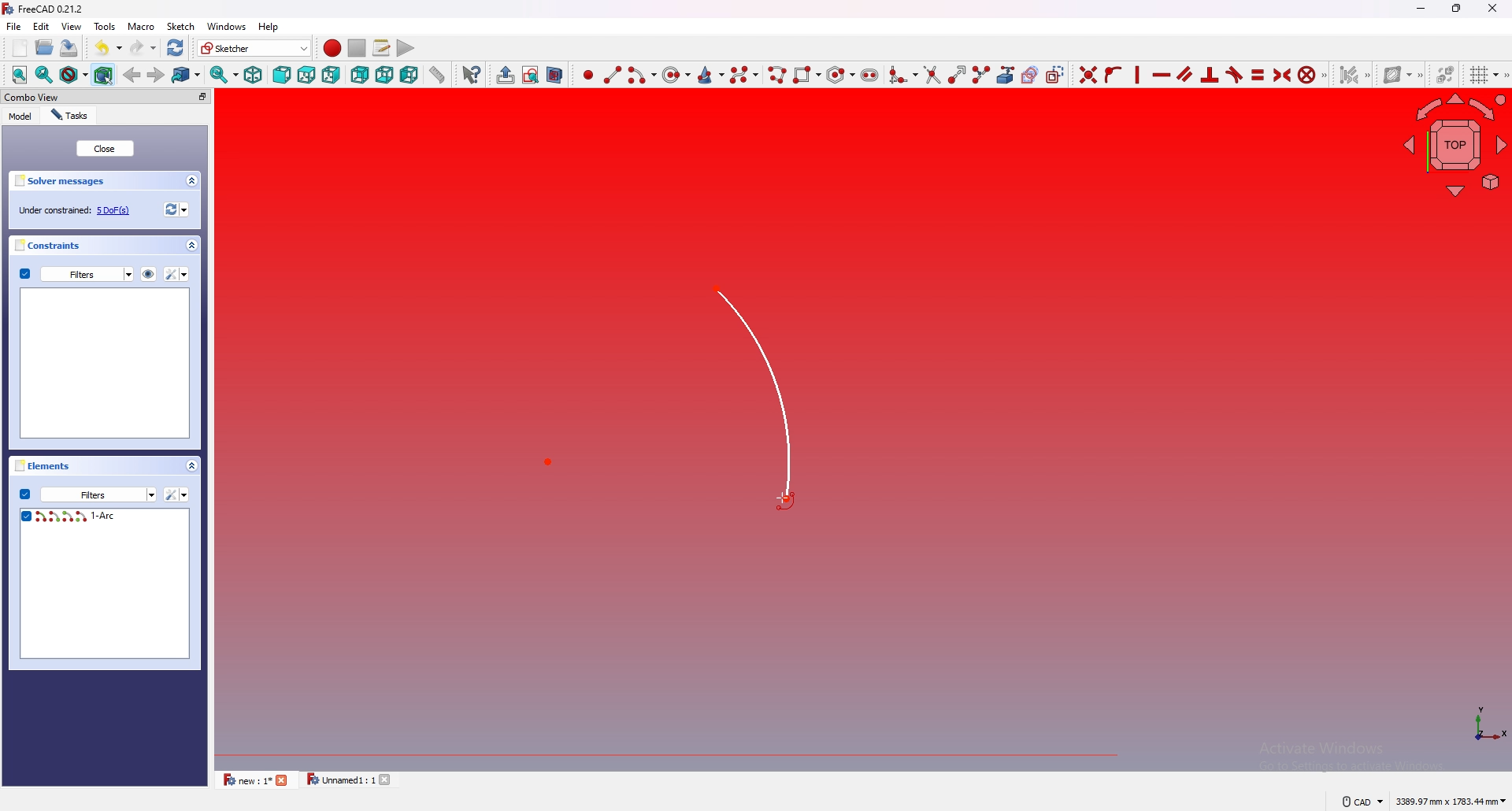 This screenshot has width=1512, height=811. What do you see at coordinates (176, 494) in the screenshot?
I see `settings` at bounding box center [176, 494].